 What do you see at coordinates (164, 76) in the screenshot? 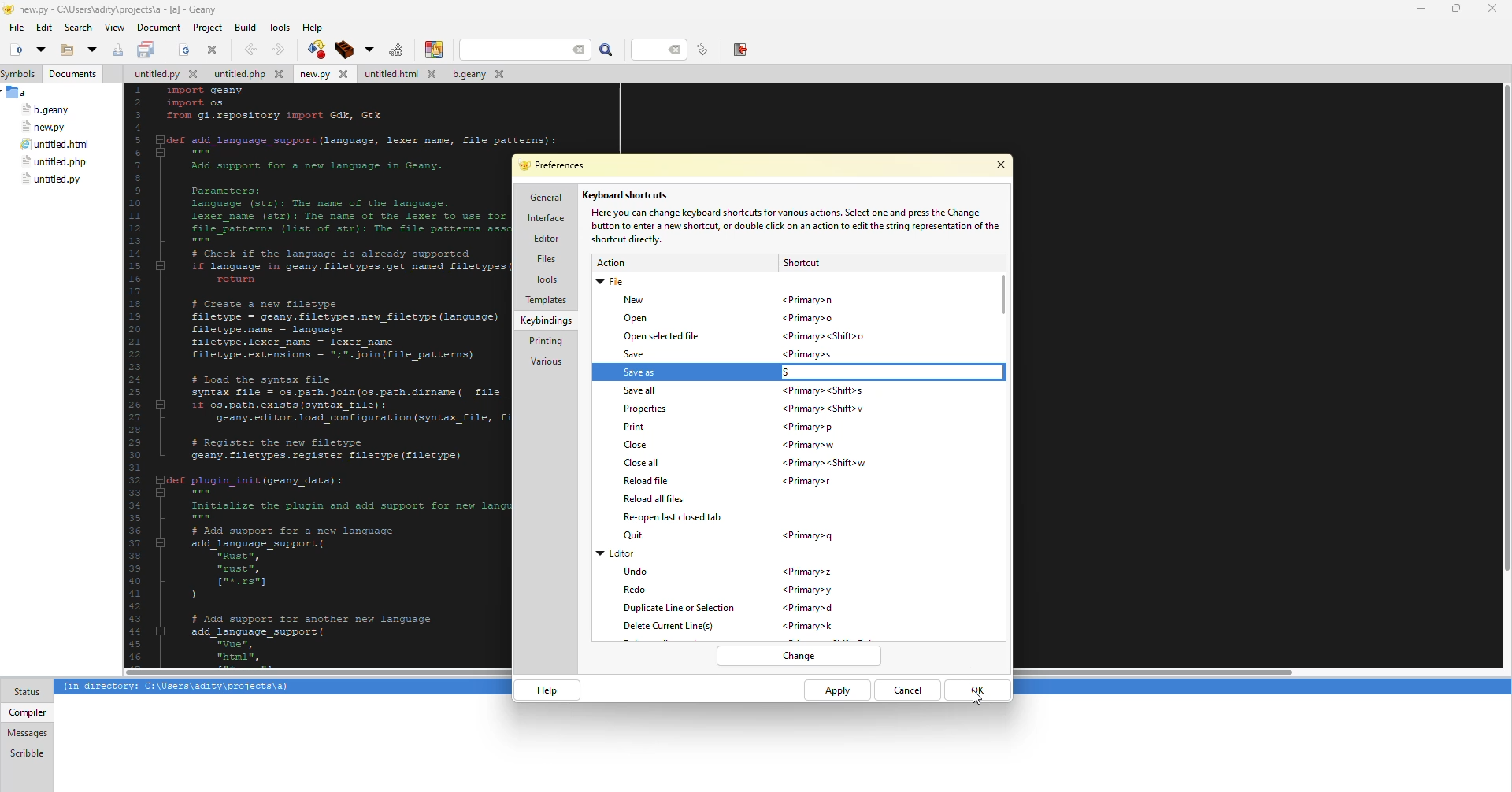
I see `file` at bounding box center [164, 76].